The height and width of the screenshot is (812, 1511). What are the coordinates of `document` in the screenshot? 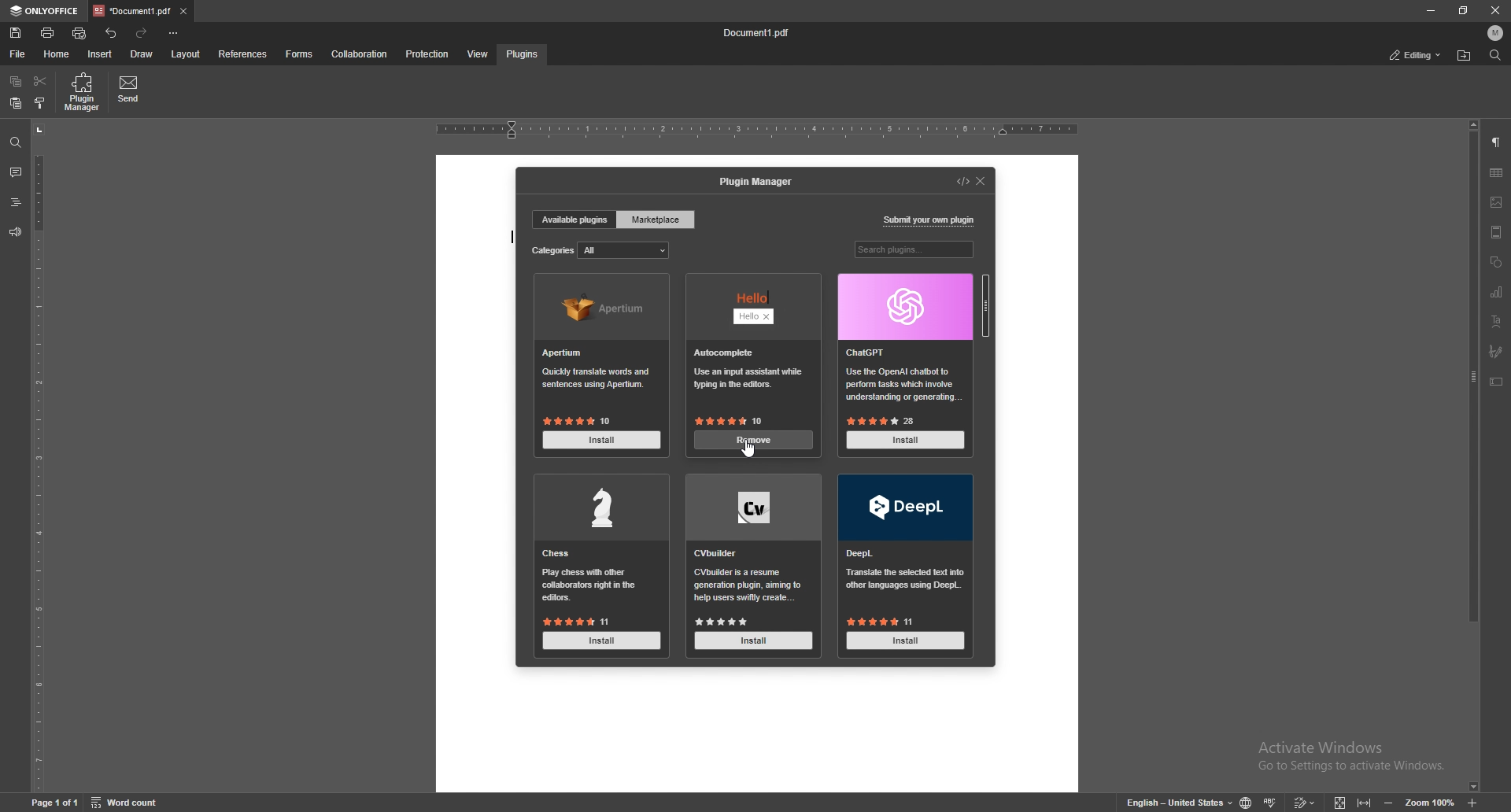 It's located at (755, 161).